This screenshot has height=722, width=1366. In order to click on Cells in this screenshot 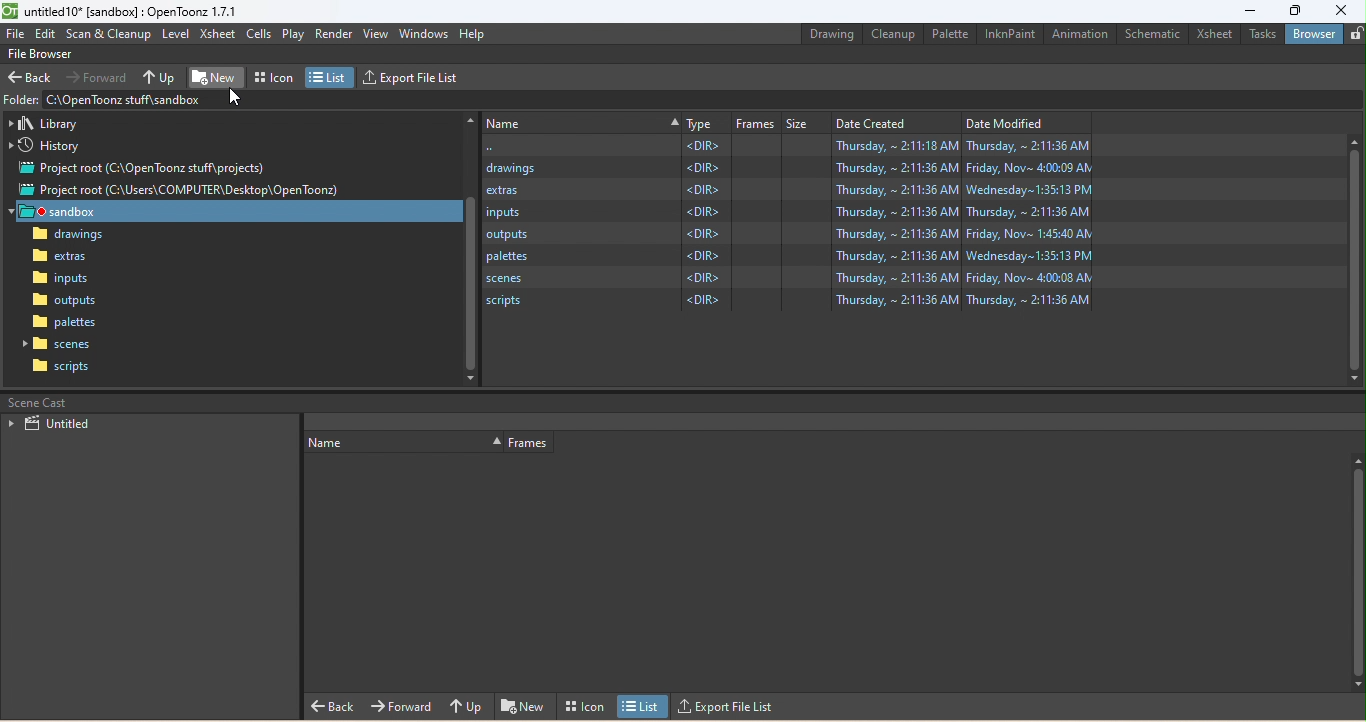, I will do `click(259, 33)`.